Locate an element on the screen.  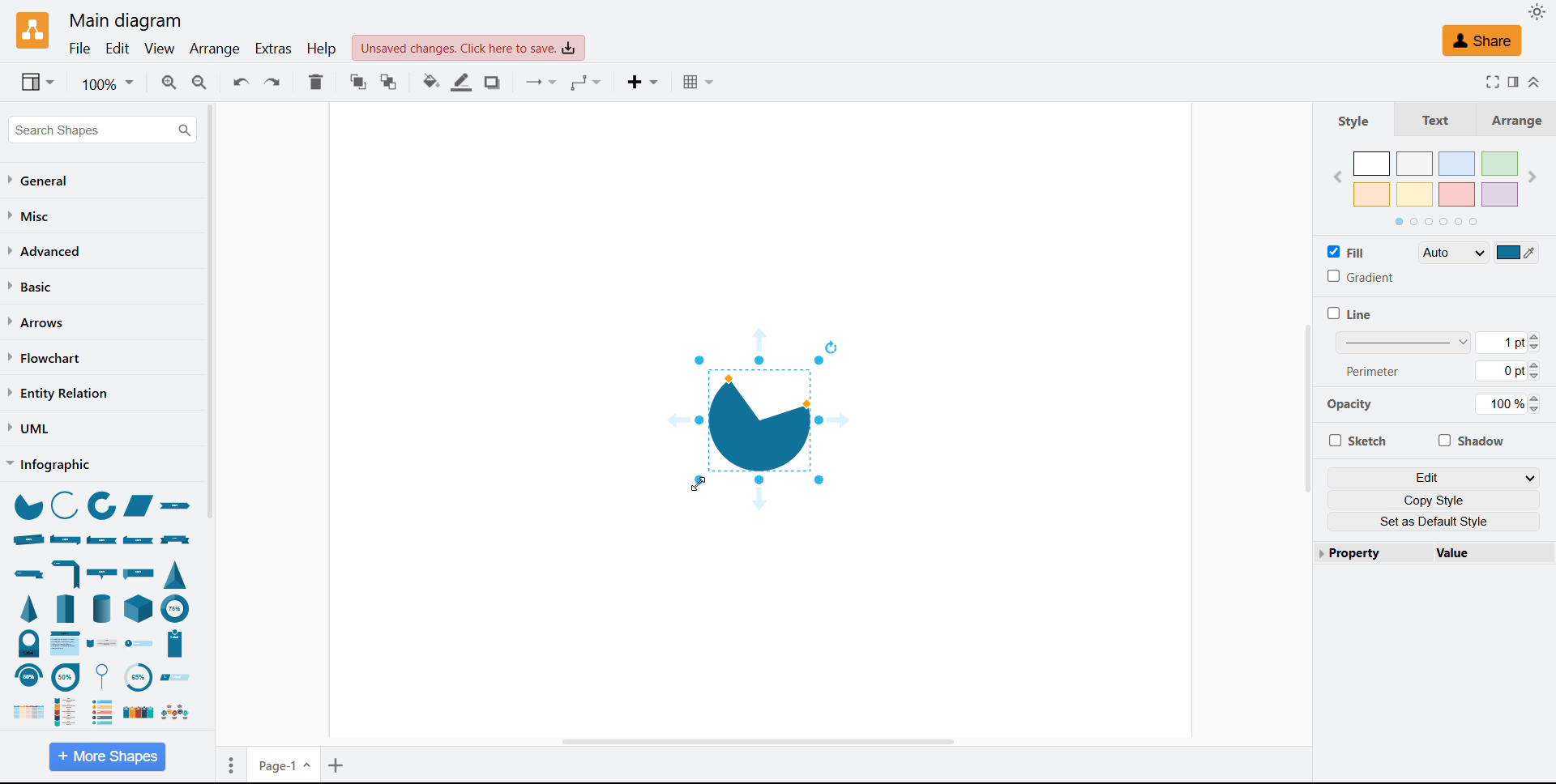
Set opacity  is located at coordinates (1507, 404).